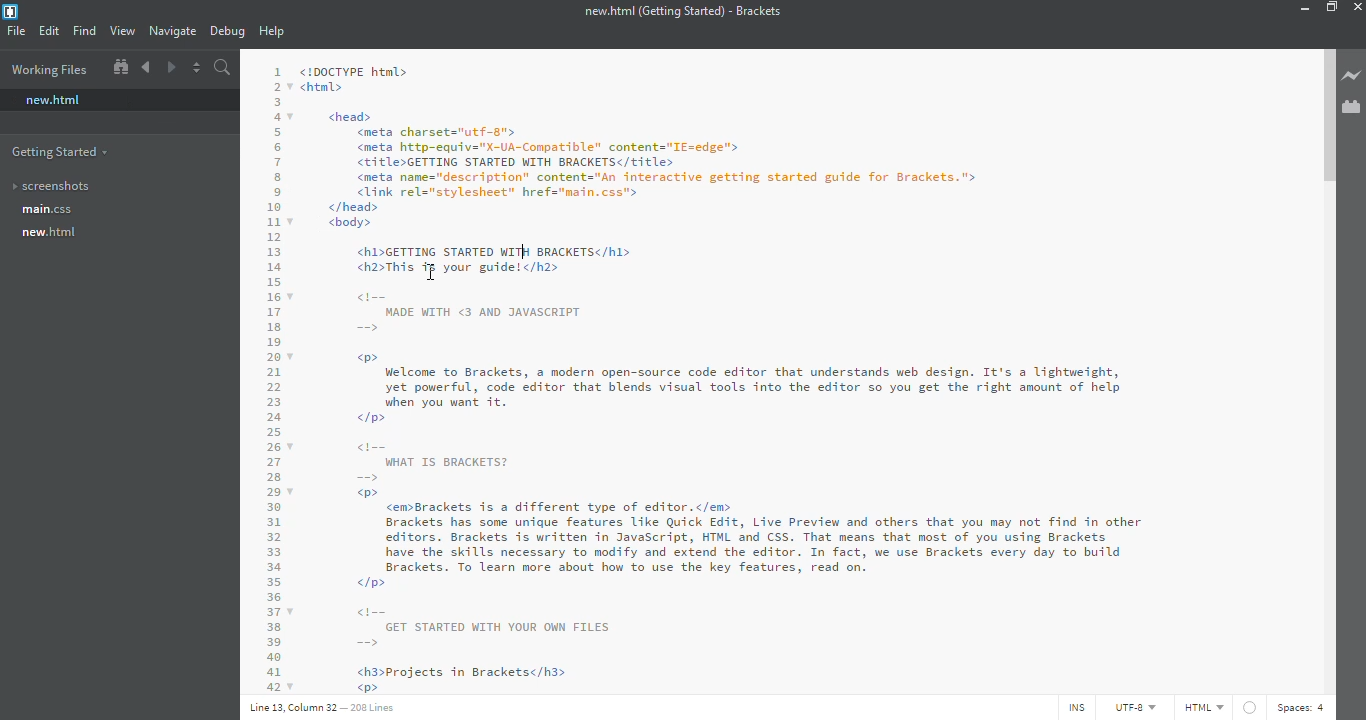  What do you see at coordinates (274, 377) in the screenshot?
I see `cod eline` at bounding box center [274, 377].